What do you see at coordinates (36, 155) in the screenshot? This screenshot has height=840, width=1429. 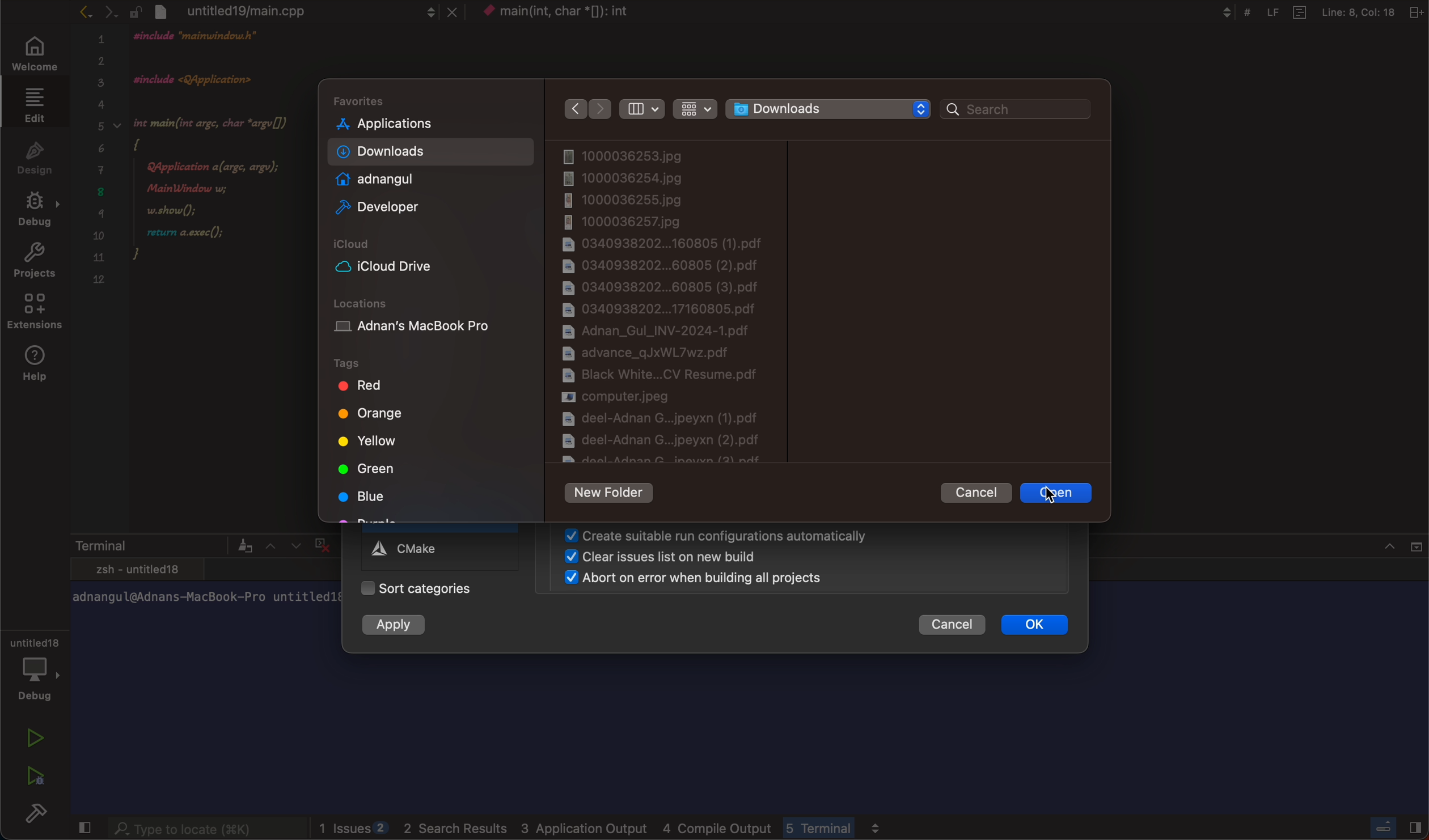 I see `design` at bounding box center [36, 155].